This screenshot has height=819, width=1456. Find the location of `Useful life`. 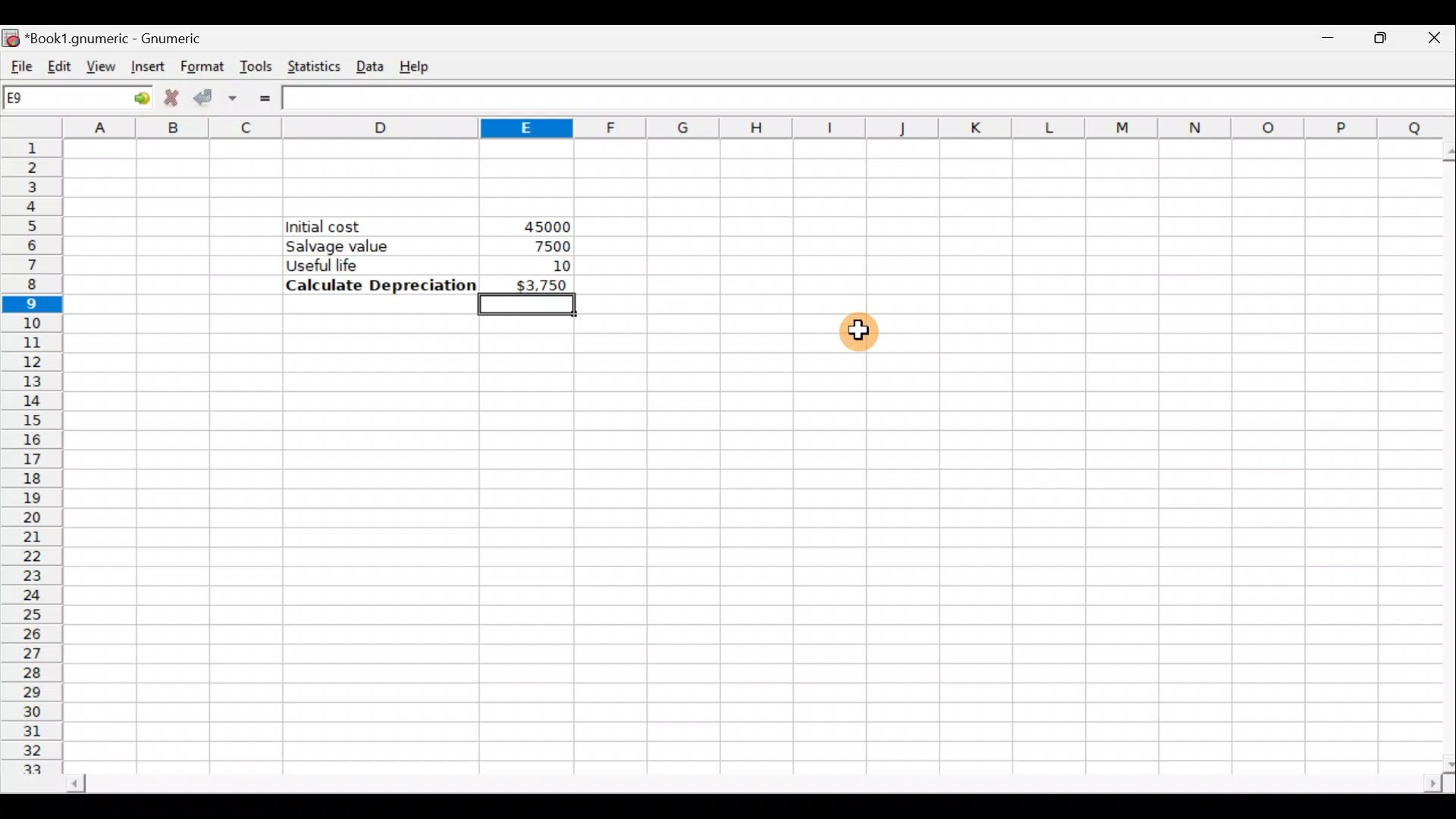

Useful life is located at coordinates (372, 265).